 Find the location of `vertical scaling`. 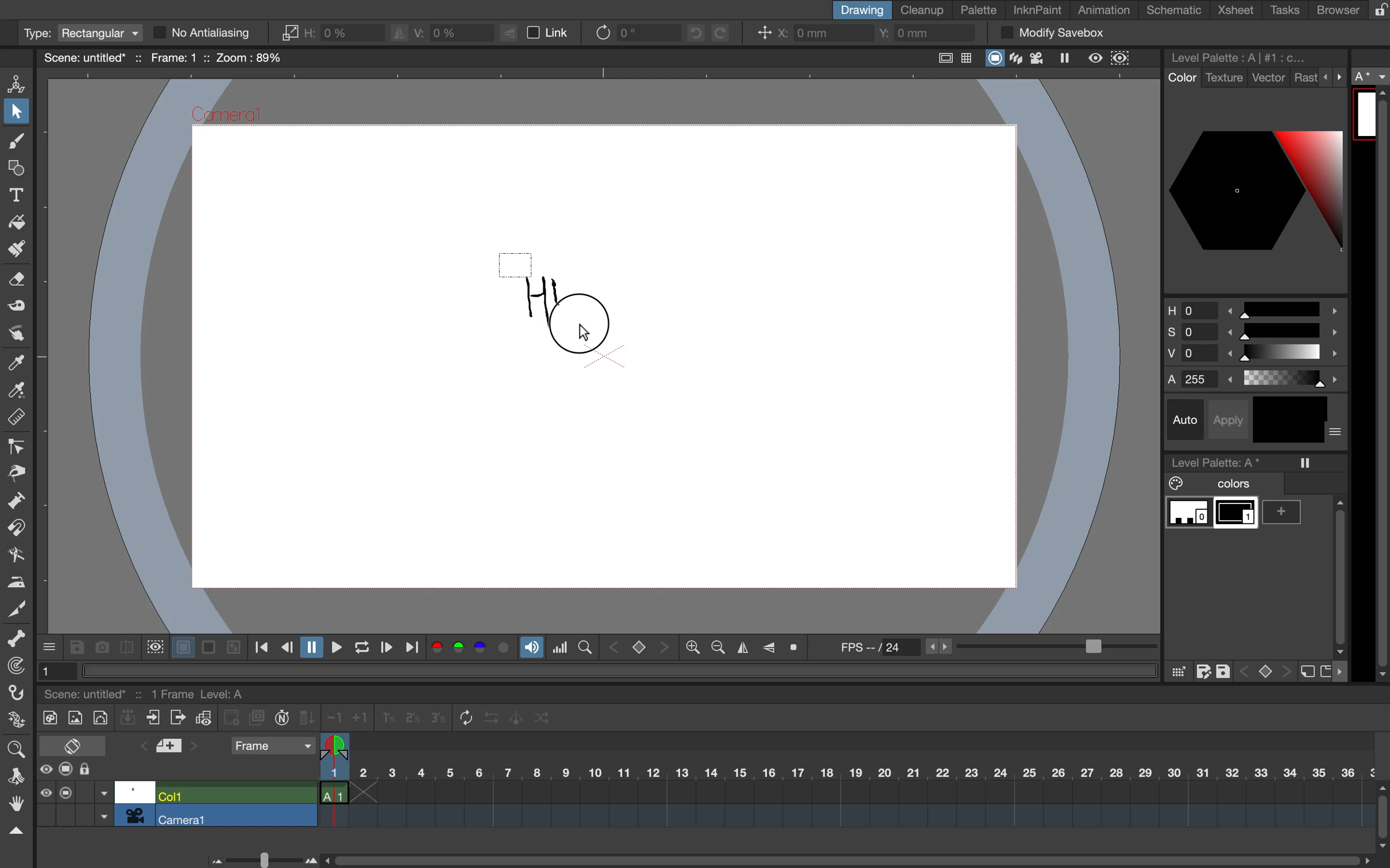

vertical scaling is located at coordinates (441, 32).